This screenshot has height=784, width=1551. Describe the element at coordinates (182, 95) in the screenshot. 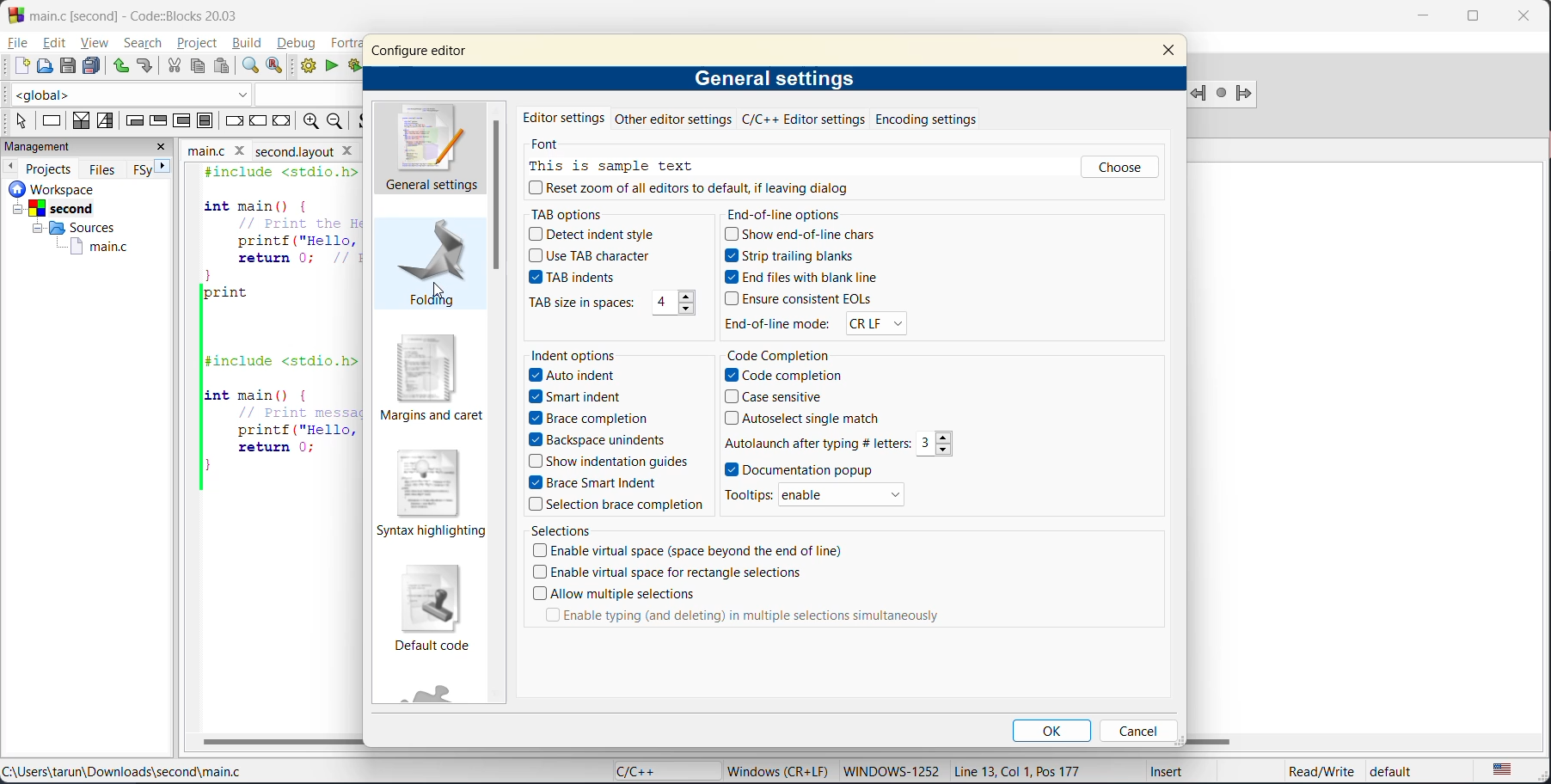

I see `code completion compiler` at that location.